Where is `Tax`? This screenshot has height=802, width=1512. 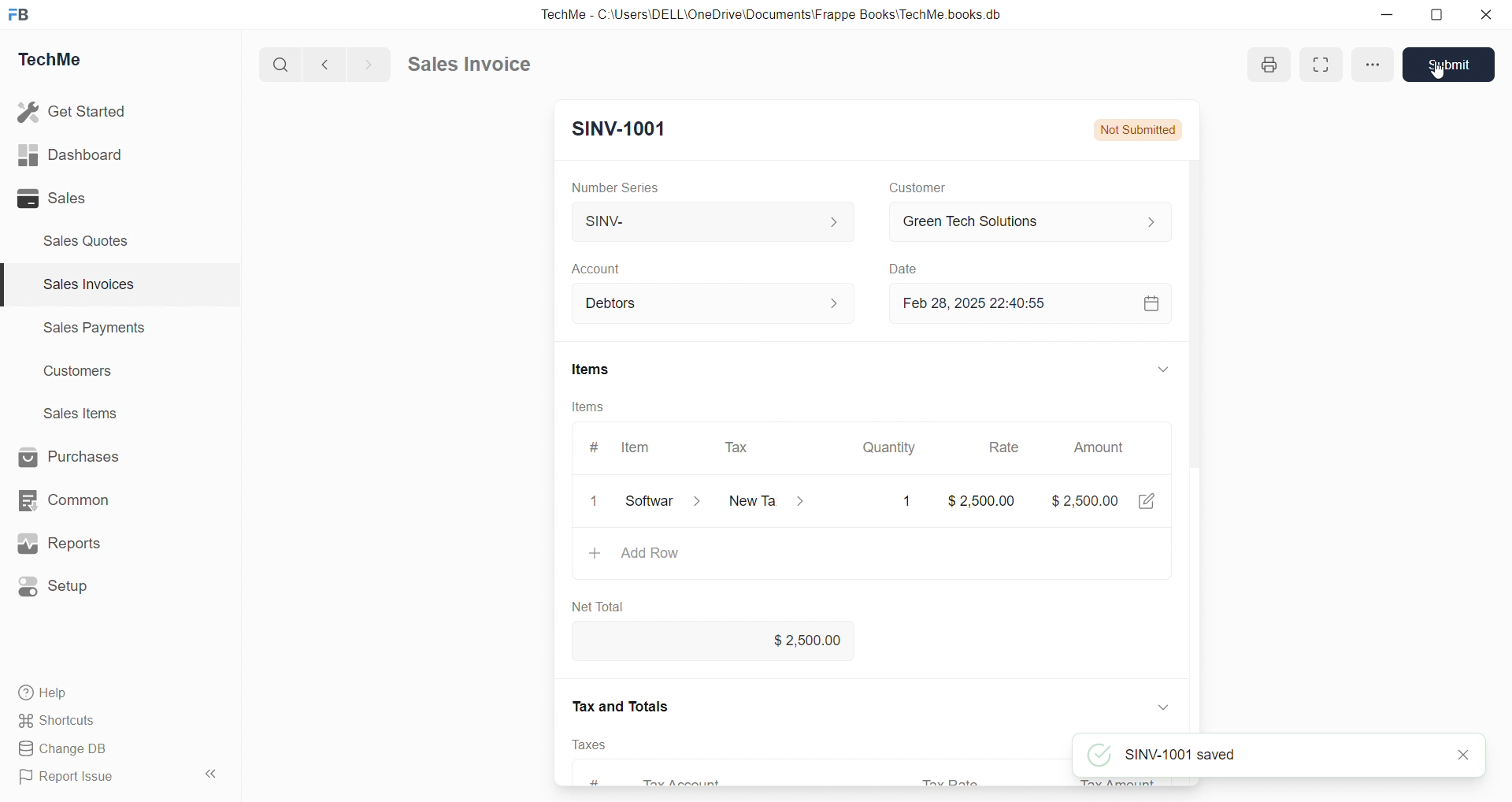 Tax is located at coordinates (736, 448).